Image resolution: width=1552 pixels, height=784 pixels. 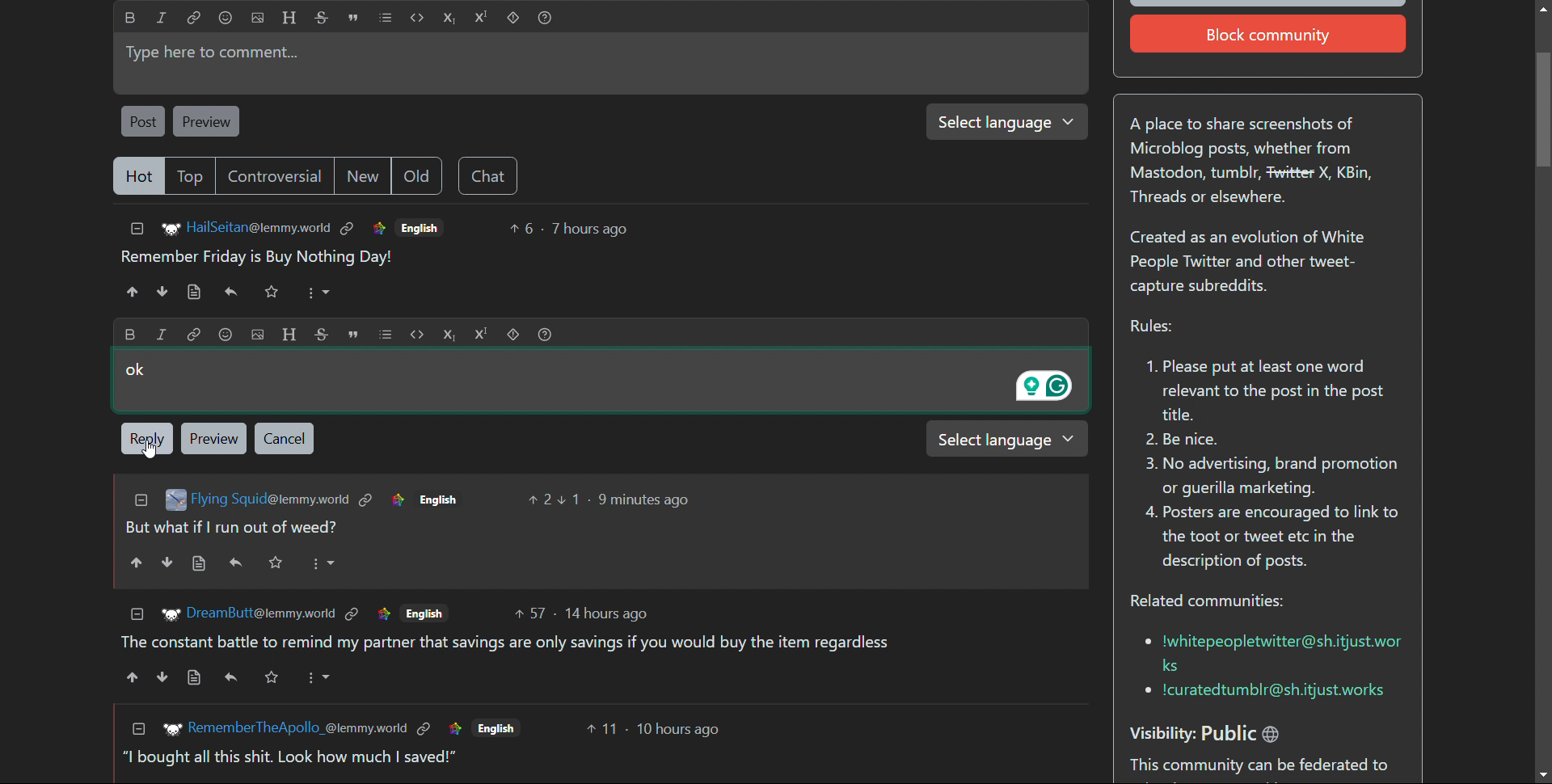 What do you see at coordinates (449, 331) in the screenshot?
I see `subscript` at bounding box center [449, 331].